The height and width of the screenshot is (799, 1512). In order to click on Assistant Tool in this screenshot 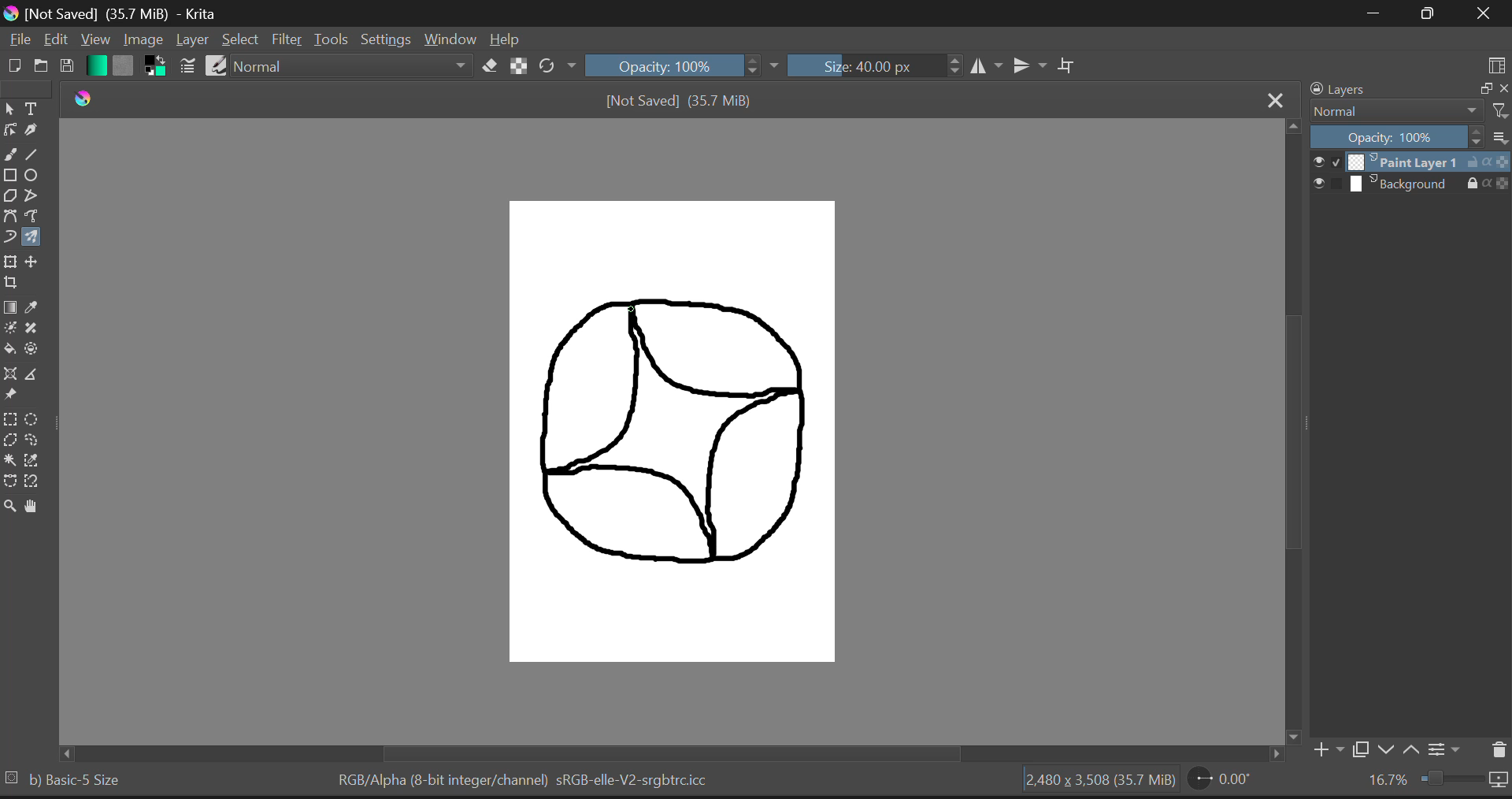, I will do `click(9, 374)`.